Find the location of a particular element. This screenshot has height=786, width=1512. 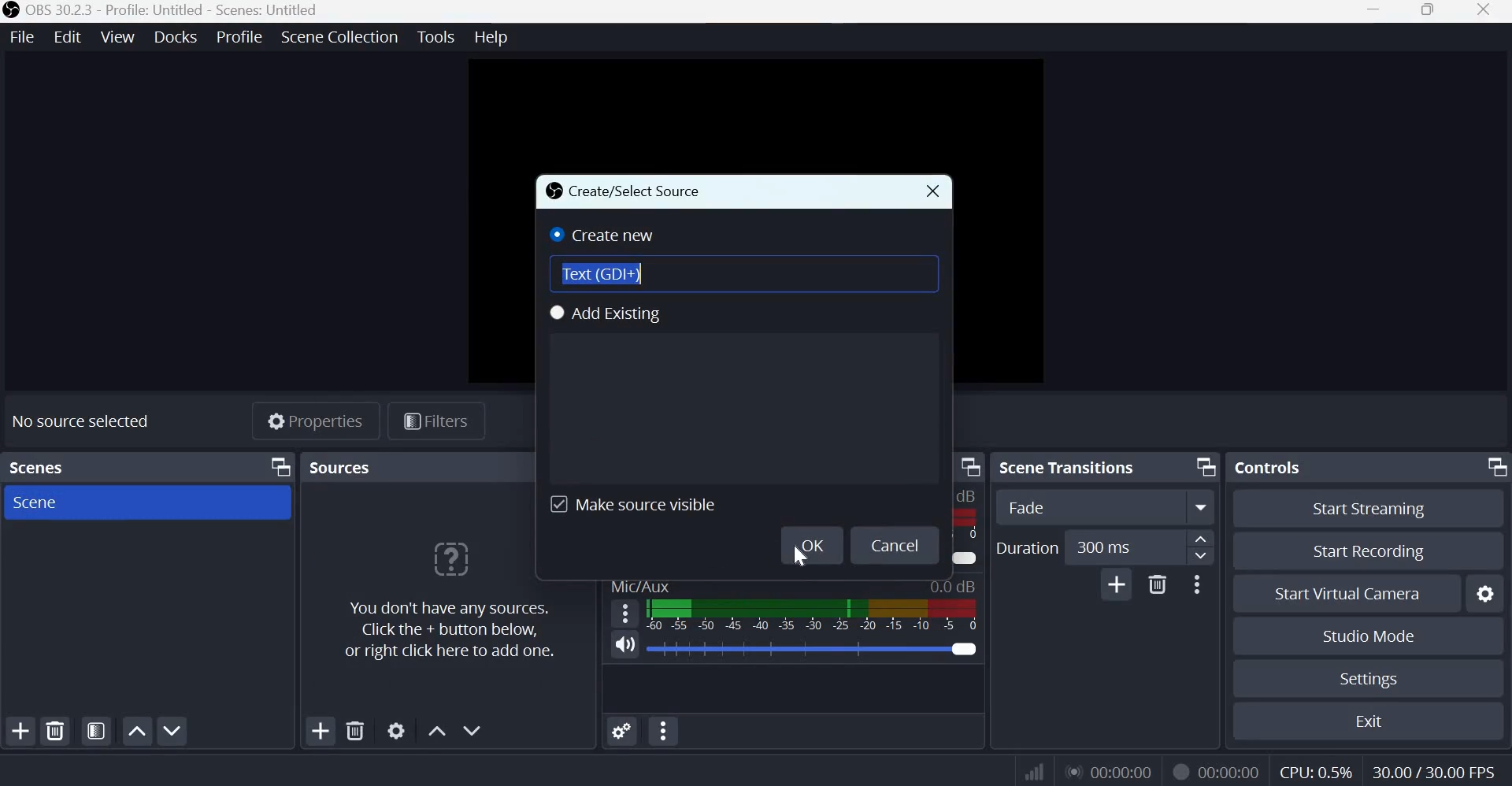

Move source(s) up is located at coordinates (437, 732).